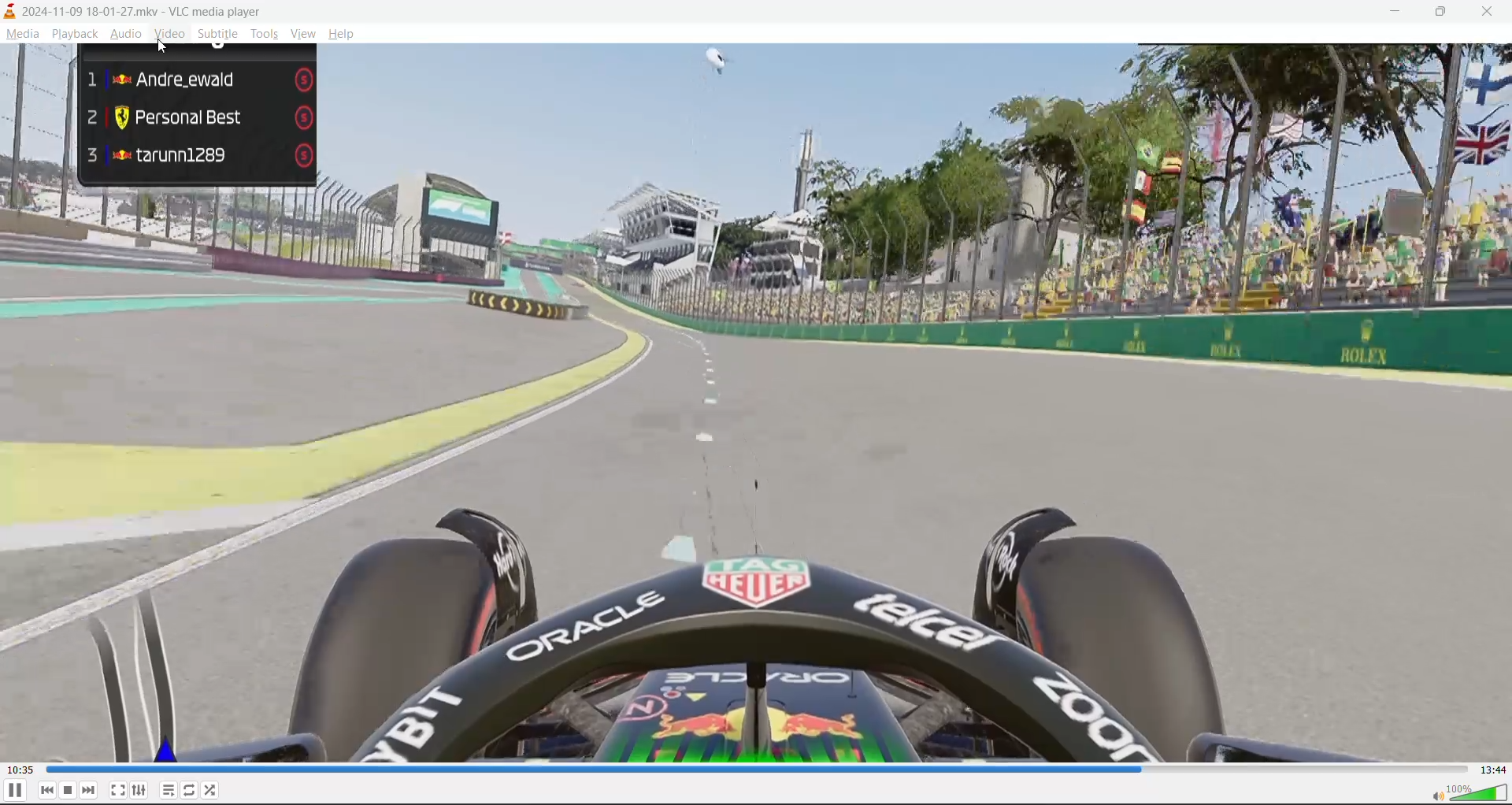 The image size is (1512, 805). Describe the element at coordinates (117, 788) in the screenshot. I see `toggle fullscreen` at that location.